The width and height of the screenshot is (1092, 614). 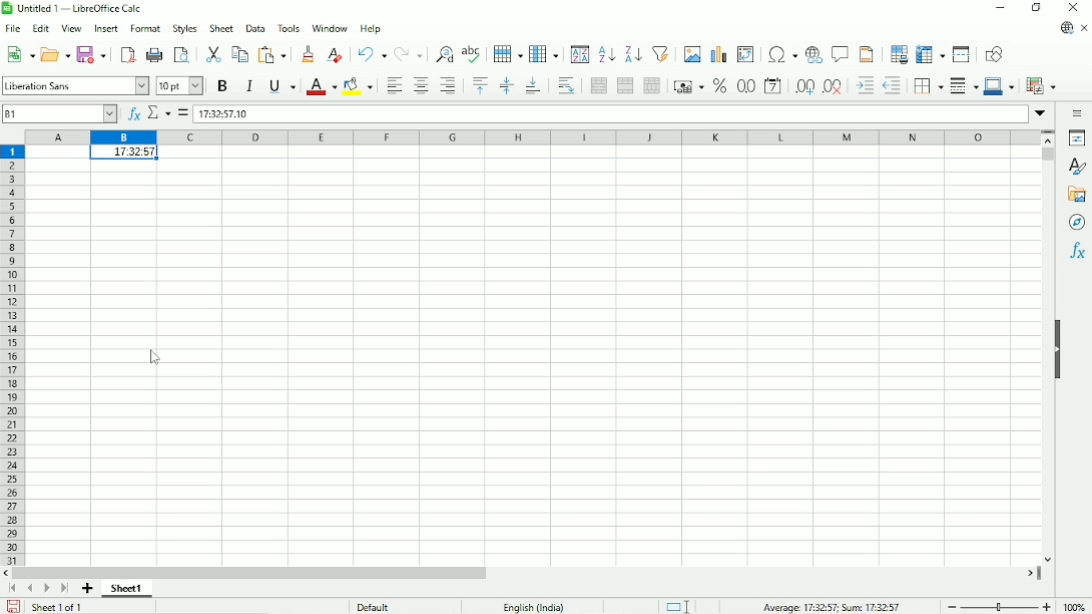 What do you see at coordinates (863, 85) in the screenshot?
I see `Increase indent` at bounding box center [863, 85].